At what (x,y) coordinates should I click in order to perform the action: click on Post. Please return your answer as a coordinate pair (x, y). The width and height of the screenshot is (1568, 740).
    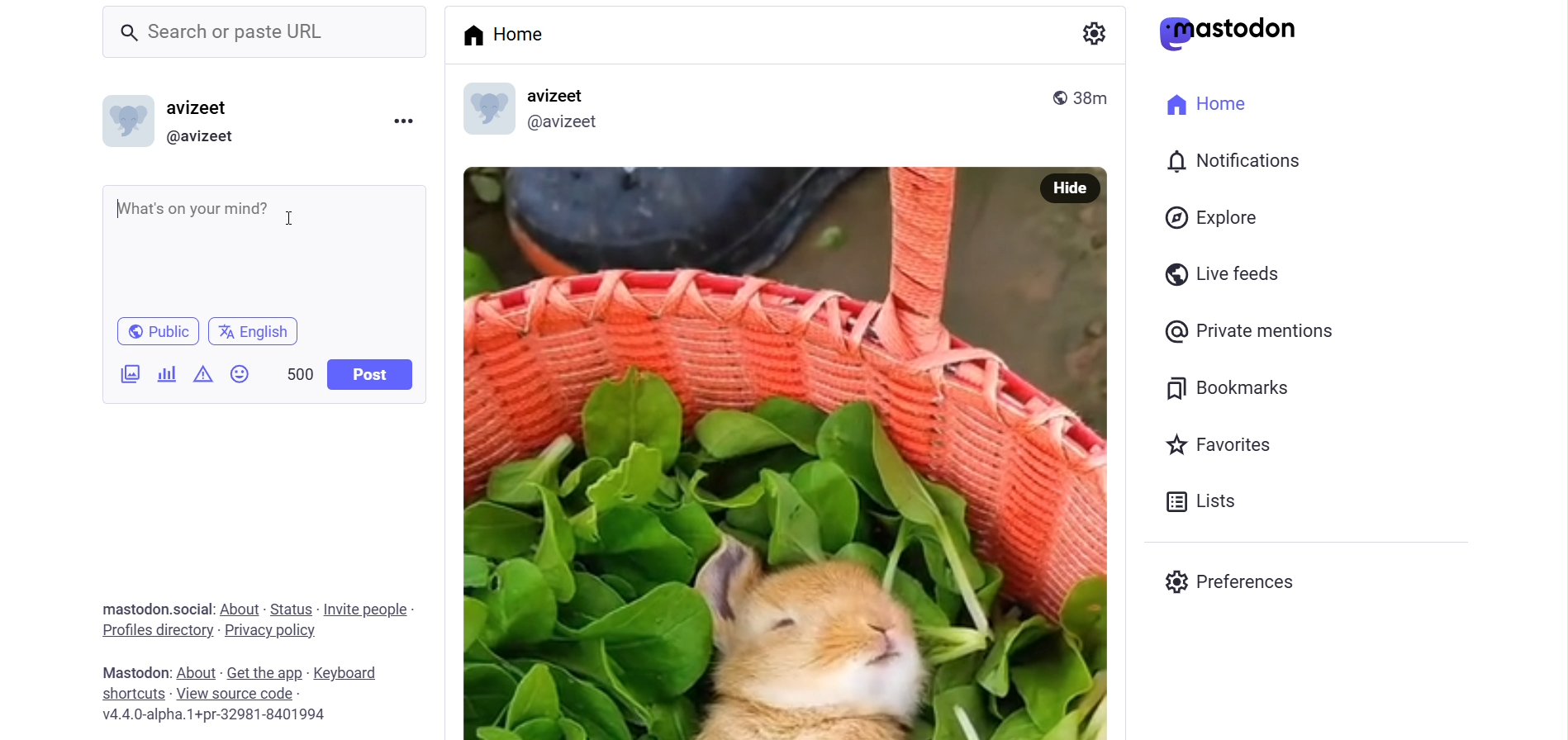
    Looking at the image, I should click on (742, 453).